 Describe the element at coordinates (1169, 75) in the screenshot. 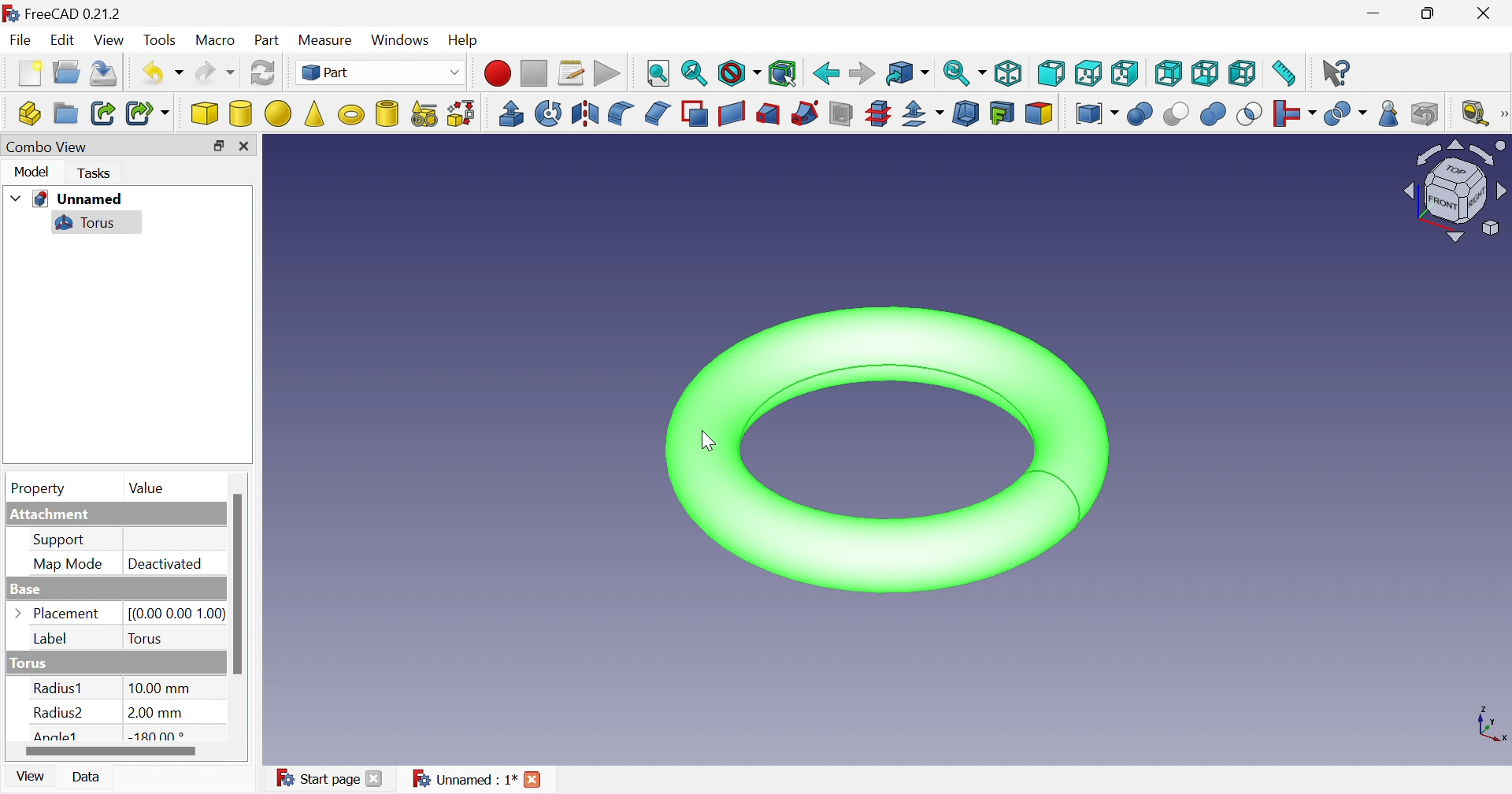

I see `Rear` at that location.